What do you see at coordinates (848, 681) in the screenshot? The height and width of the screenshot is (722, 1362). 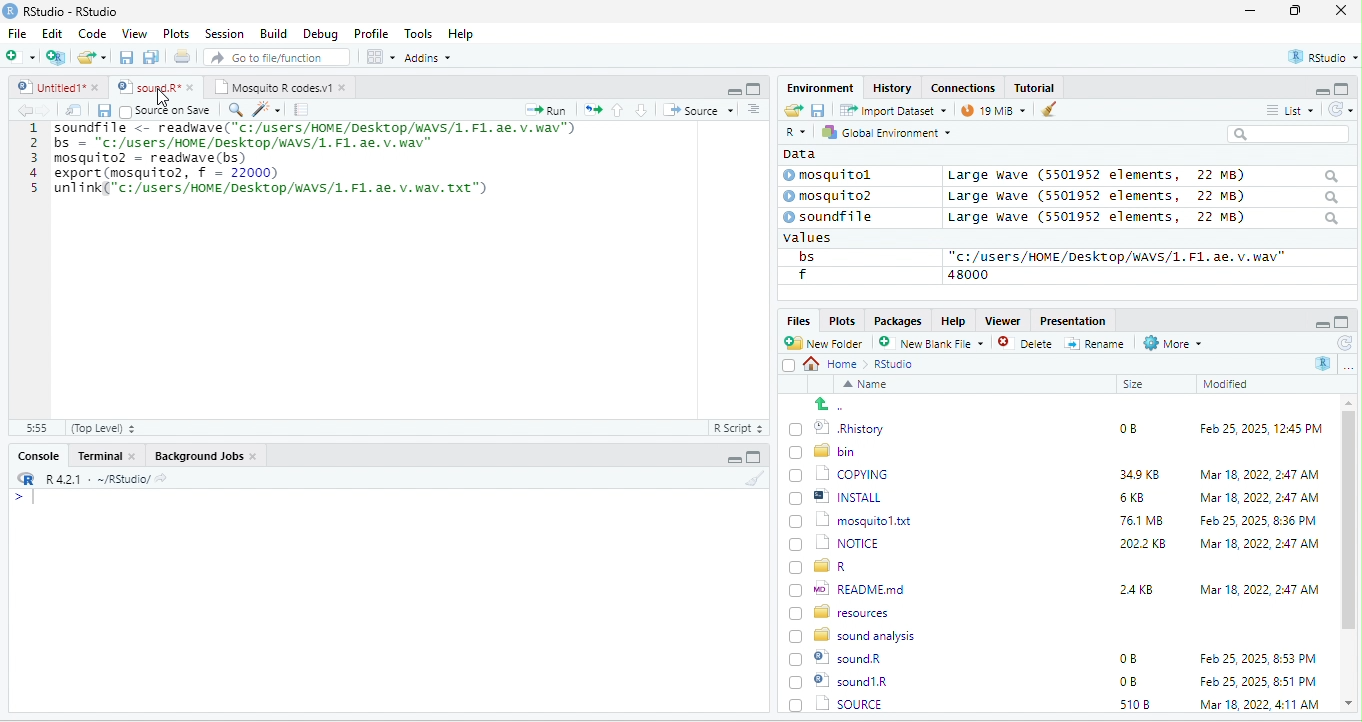 I see `| SOURCE` at bounding box center [848, 681].